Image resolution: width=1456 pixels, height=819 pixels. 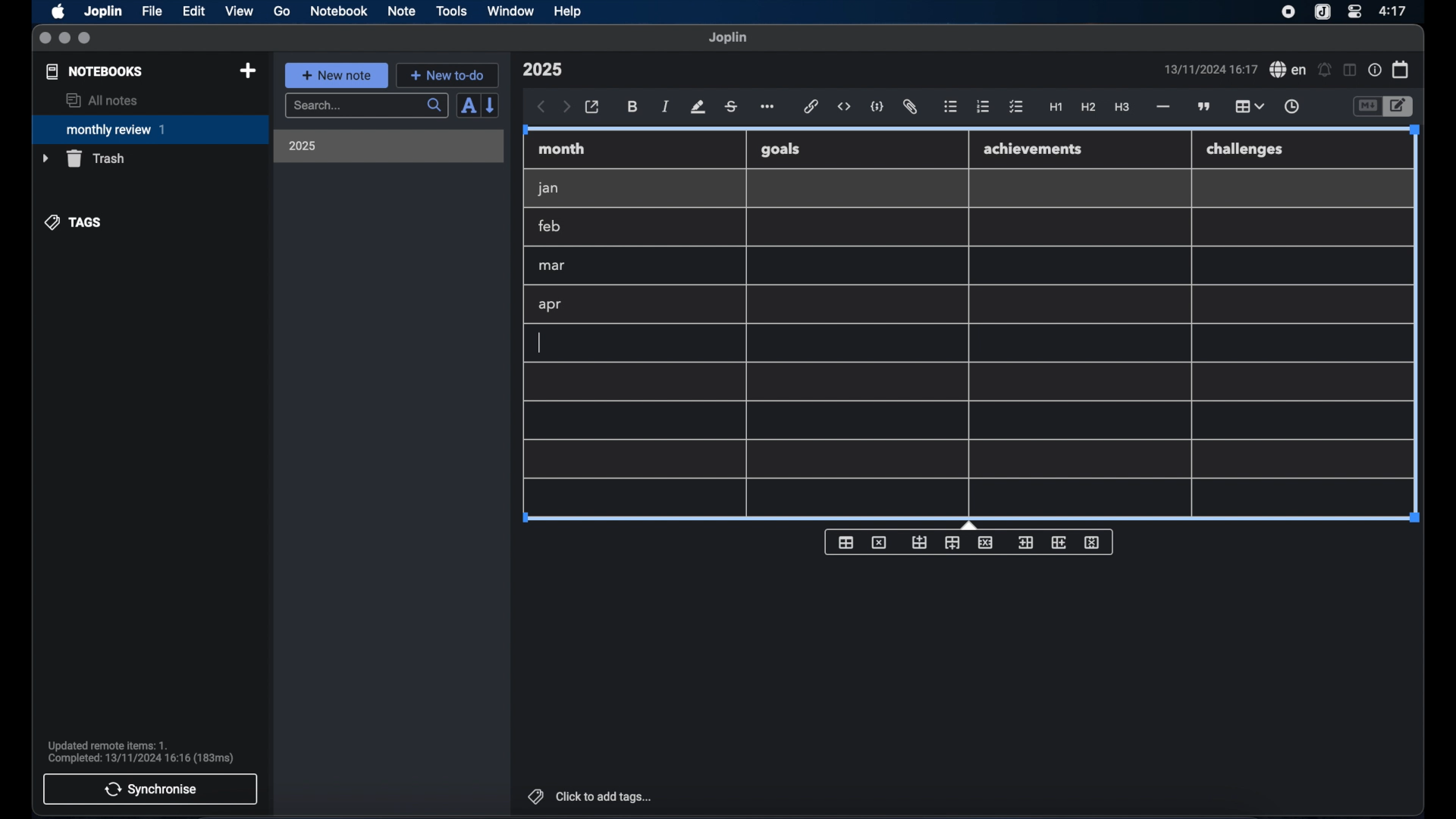 What do you see at coordinates (451, 11) in the screenshot?
I see `tools` at bounding box center [451, 11].